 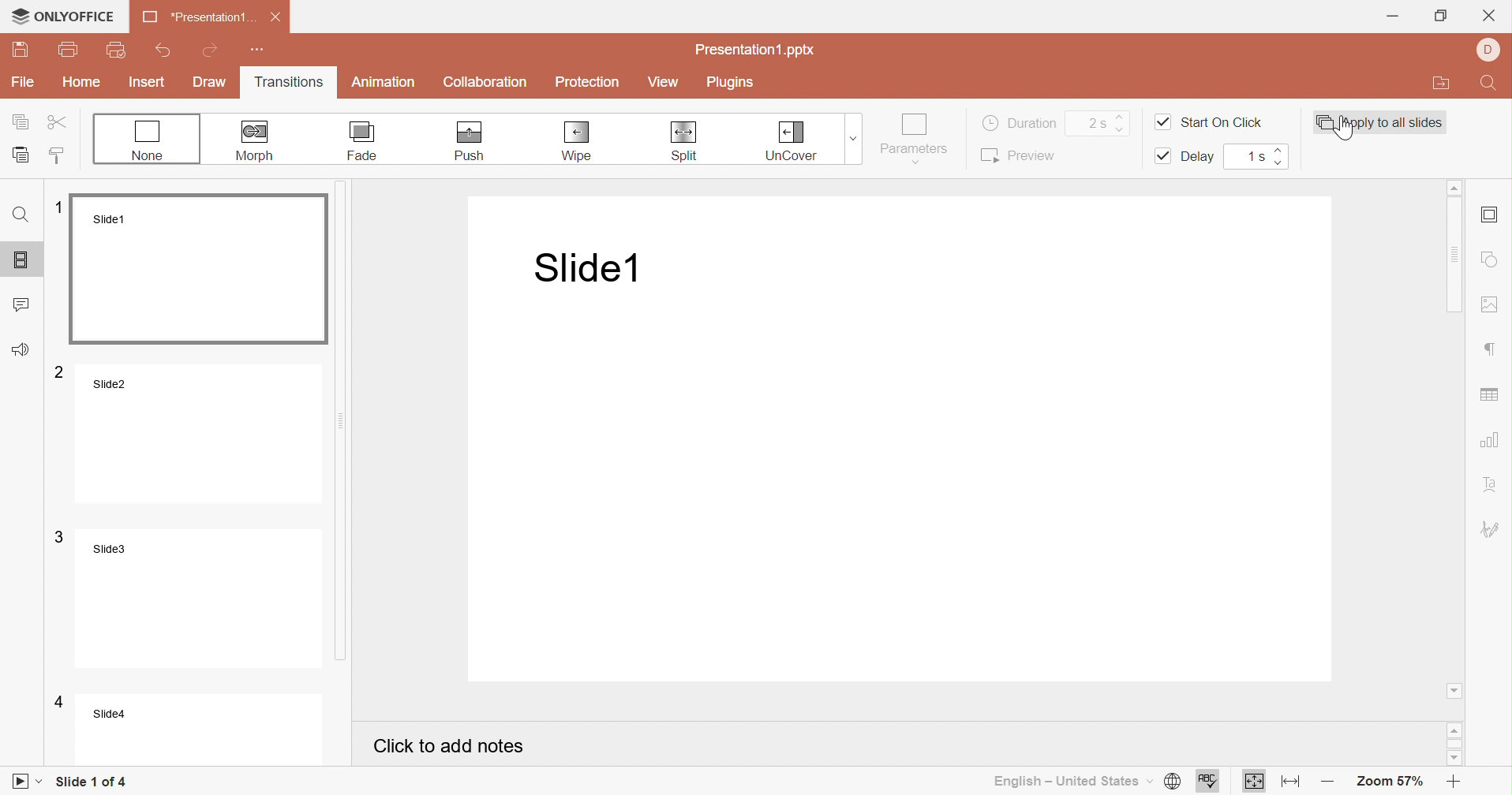 I want to click on Morph, so click(x=258, y=140).